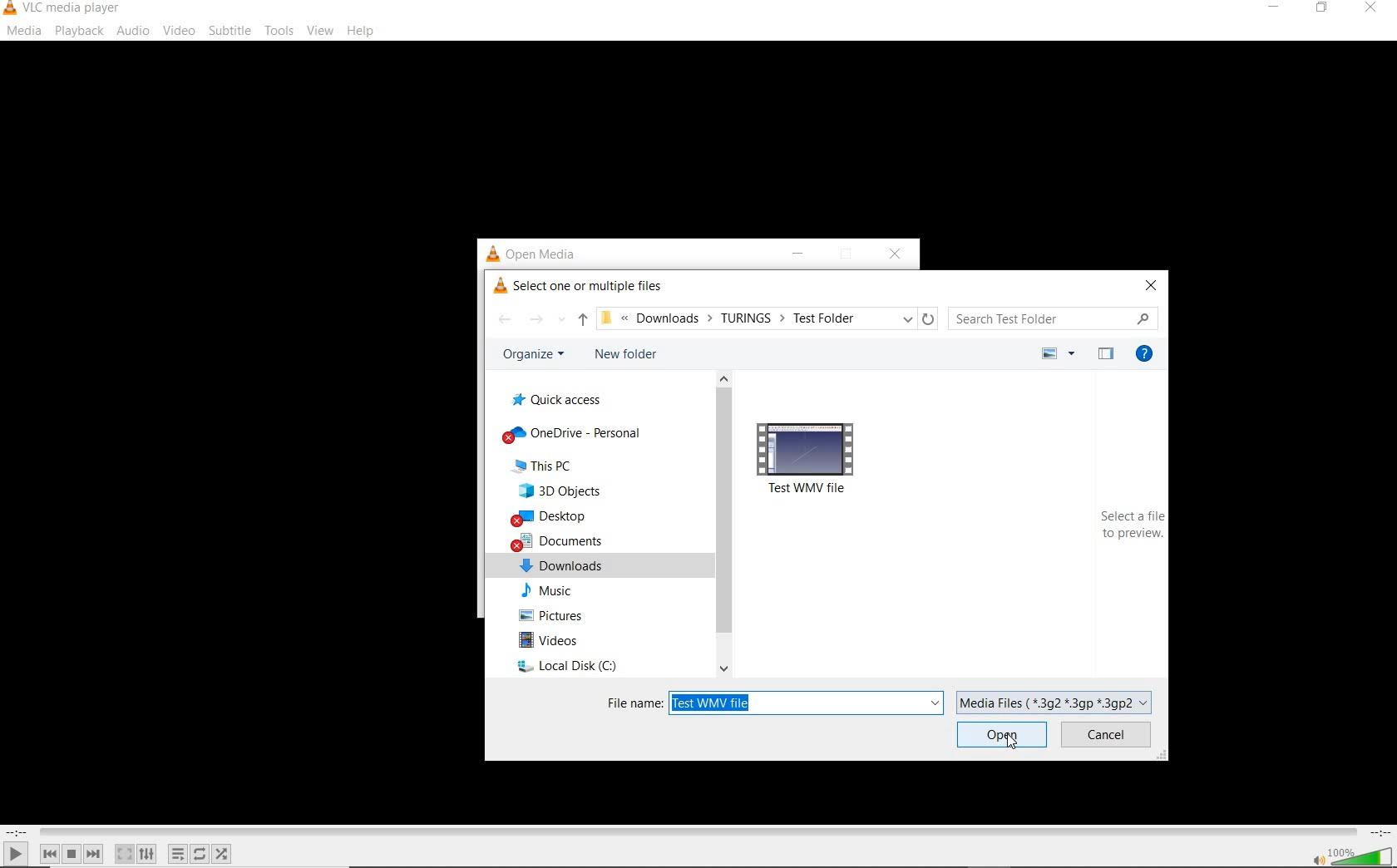 The width and height of the screenshot is (1397, 868). What do you see at coordinates (200, 853) in the screenshot?
I see `click to toggle between loop all` at bounding box center [200, 853].